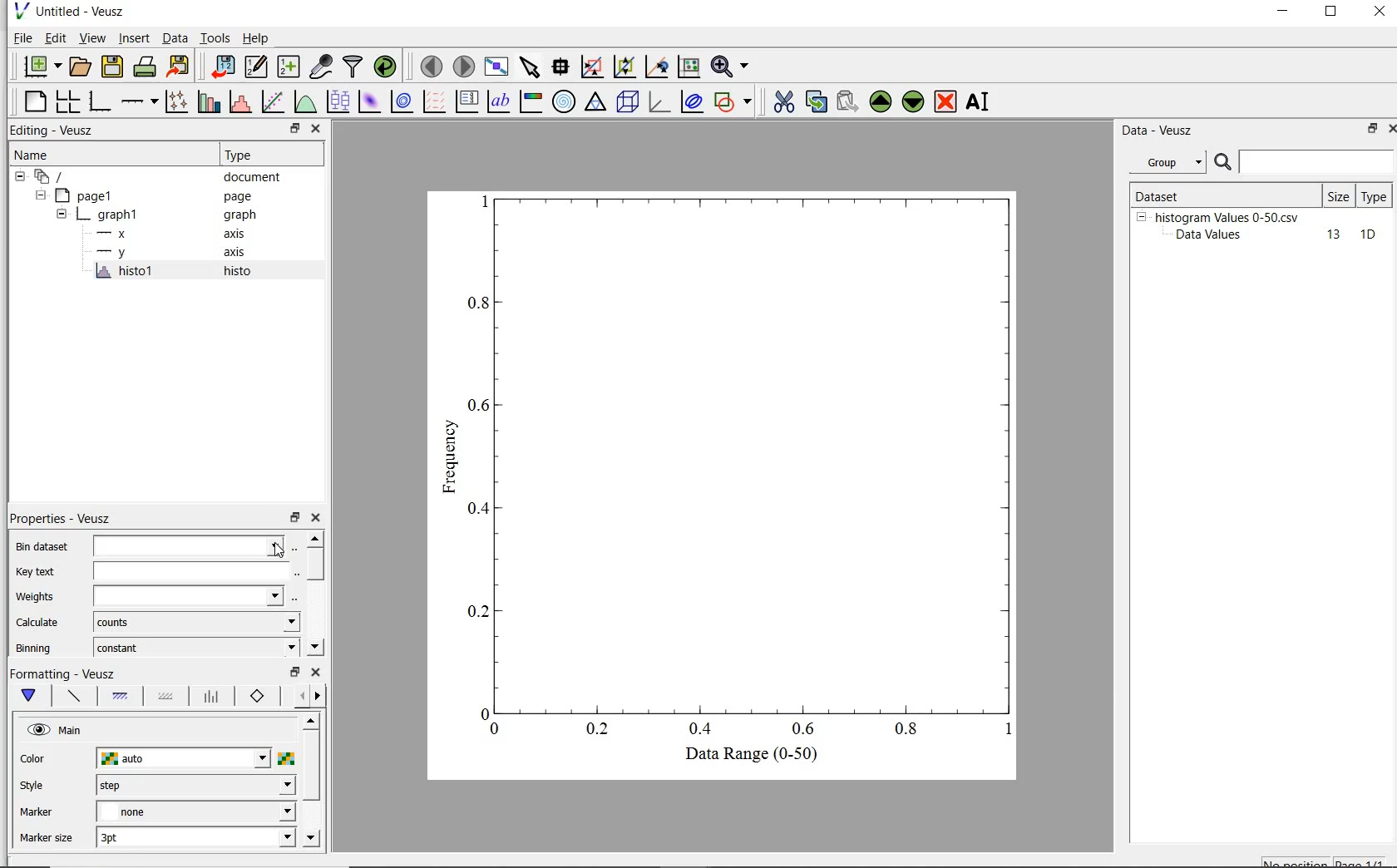  I want to click on paste the selected widget, so click(847, 103).